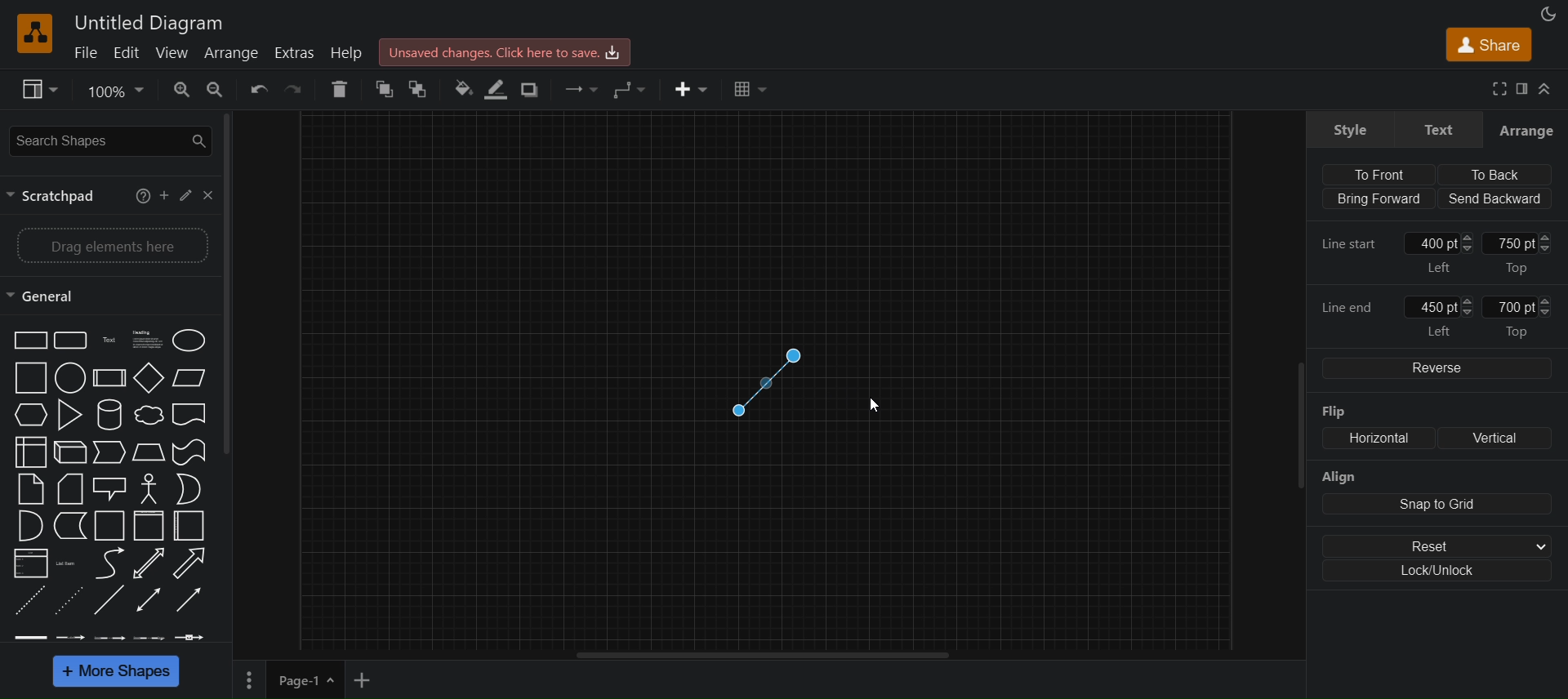 This screenshot has width=1568, height=699. I want to click on table, so click(755, 91).